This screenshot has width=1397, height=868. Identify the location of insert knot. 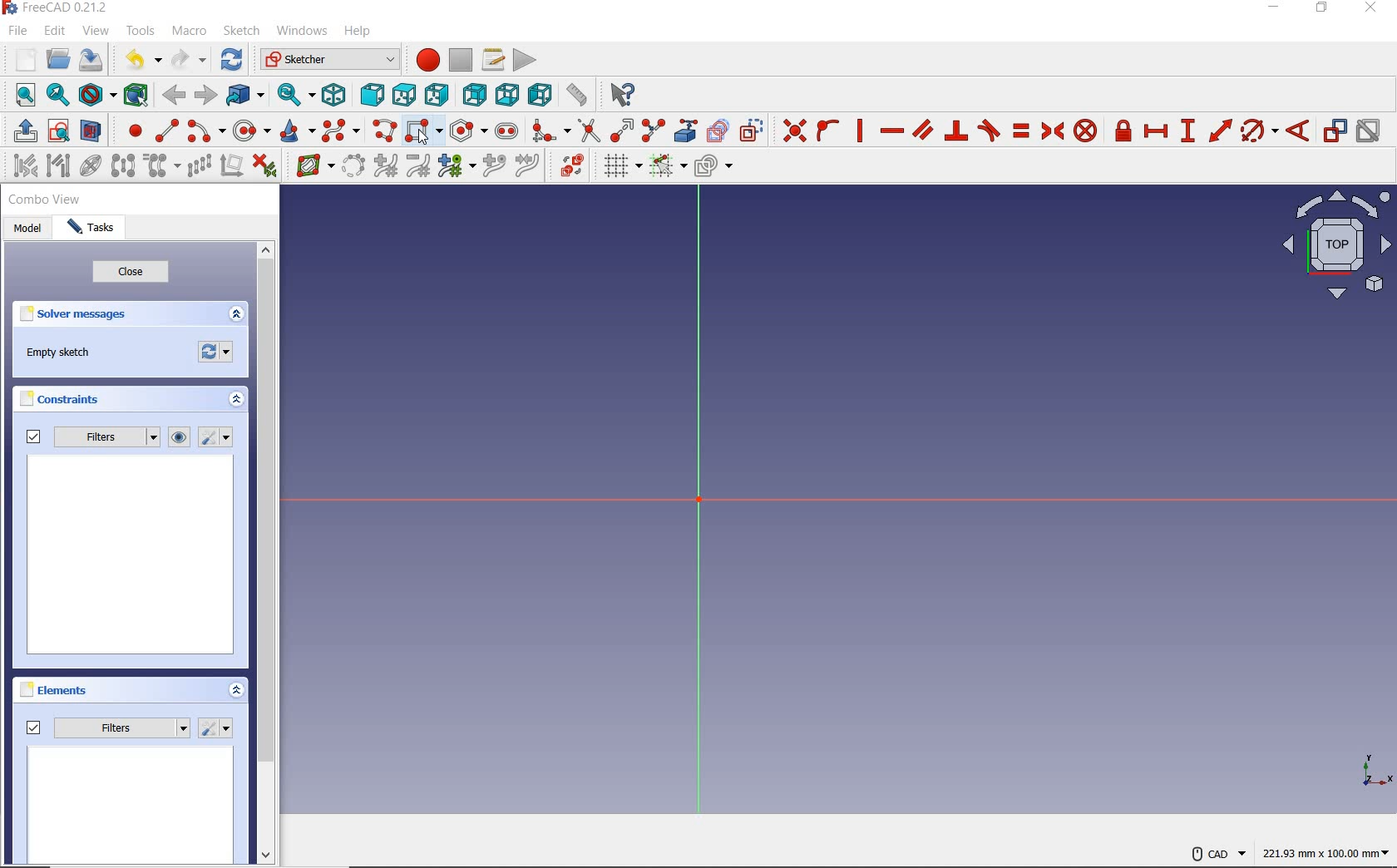
(496, 168).